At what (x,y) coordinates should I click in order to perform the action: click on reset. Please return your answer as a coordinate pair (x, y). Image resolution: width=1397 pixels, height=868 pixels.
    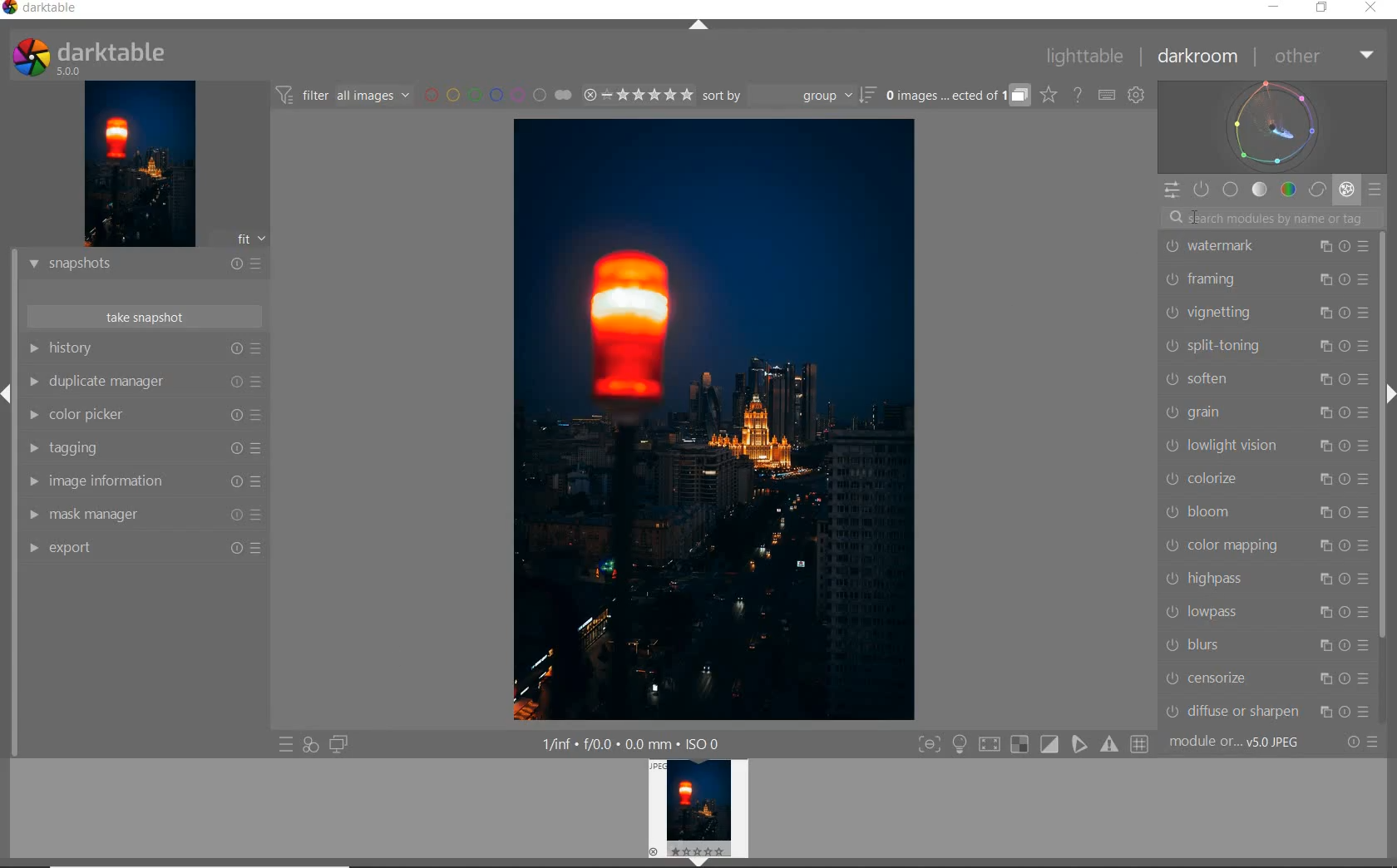
    Looking at the image, I should click on (236, 349).